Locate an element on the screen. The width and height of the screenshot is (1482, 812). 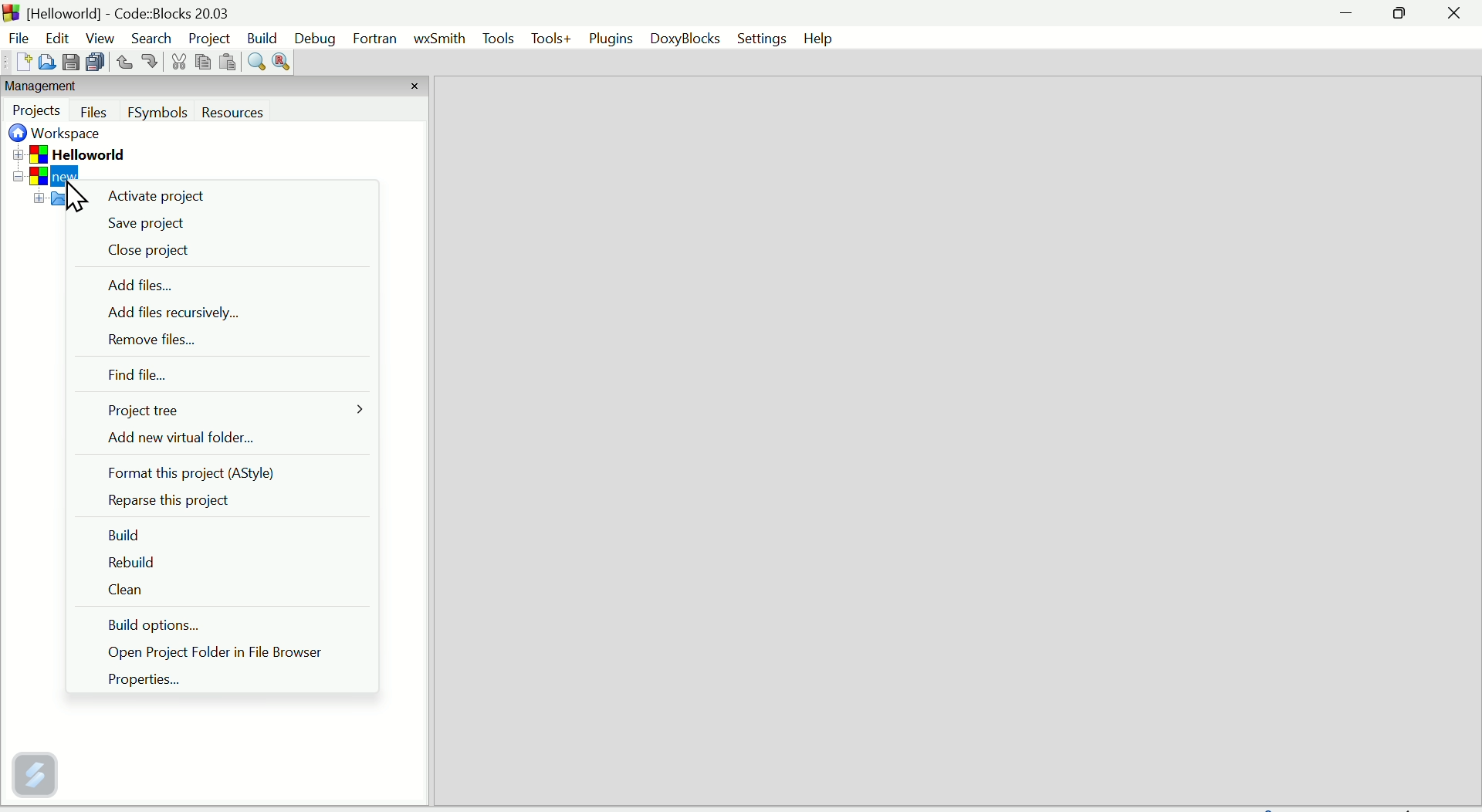
Search is located at coordinates (151, 39).